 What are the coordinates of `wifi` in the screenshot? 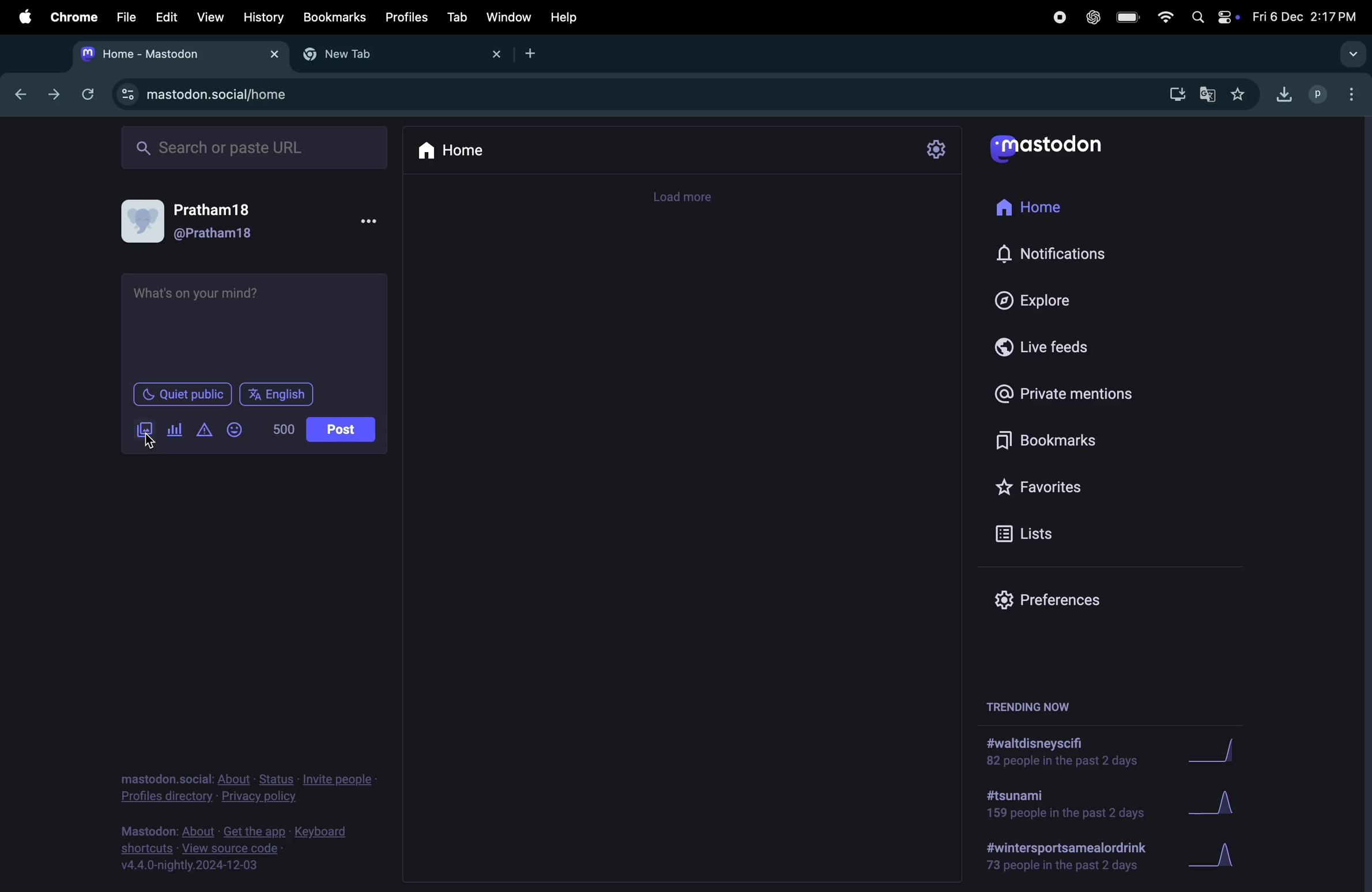 It's located at (1164, 16).